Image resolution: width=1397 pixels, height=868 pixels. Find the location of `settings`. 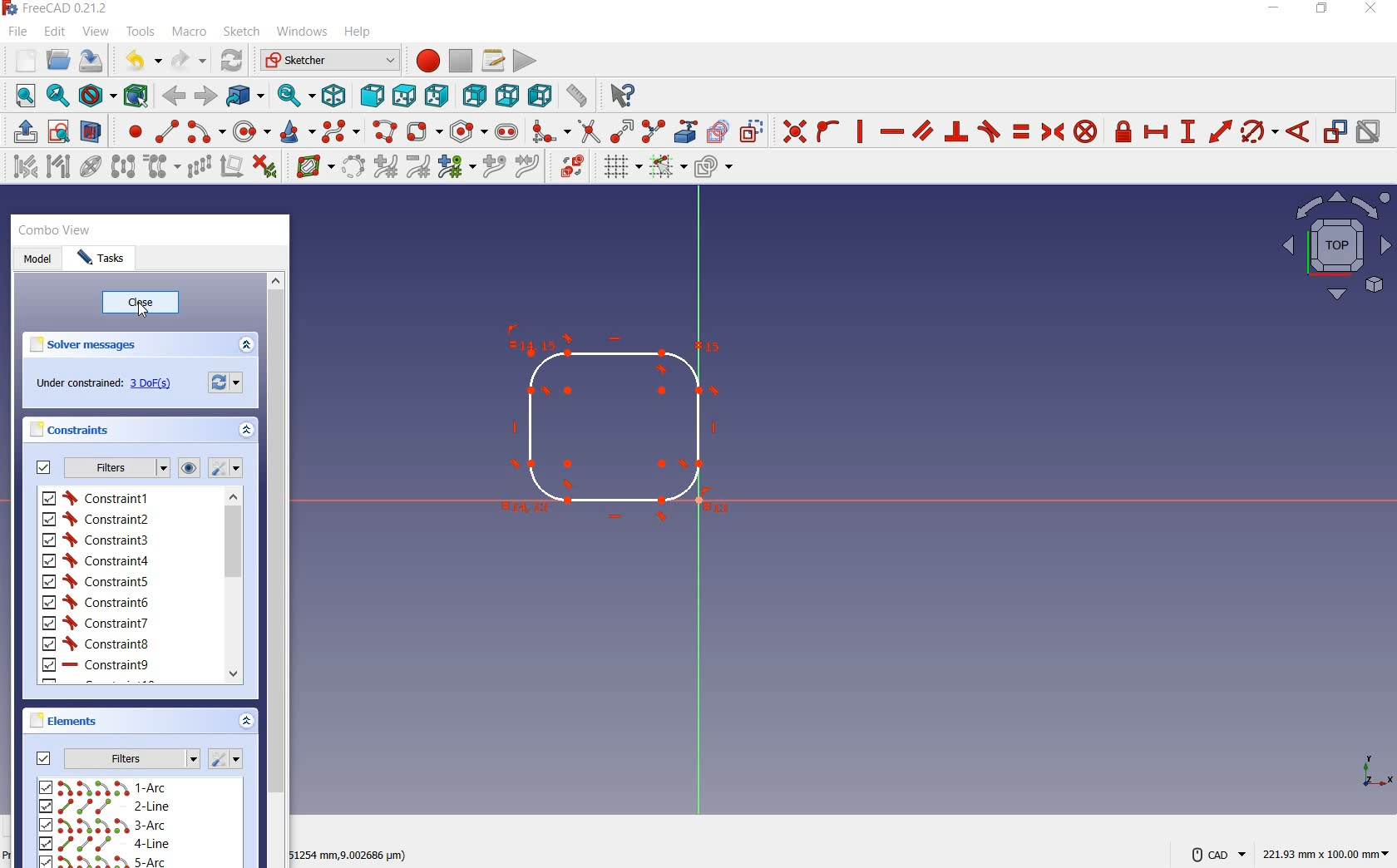

settings is located at coordinates (230, 760).